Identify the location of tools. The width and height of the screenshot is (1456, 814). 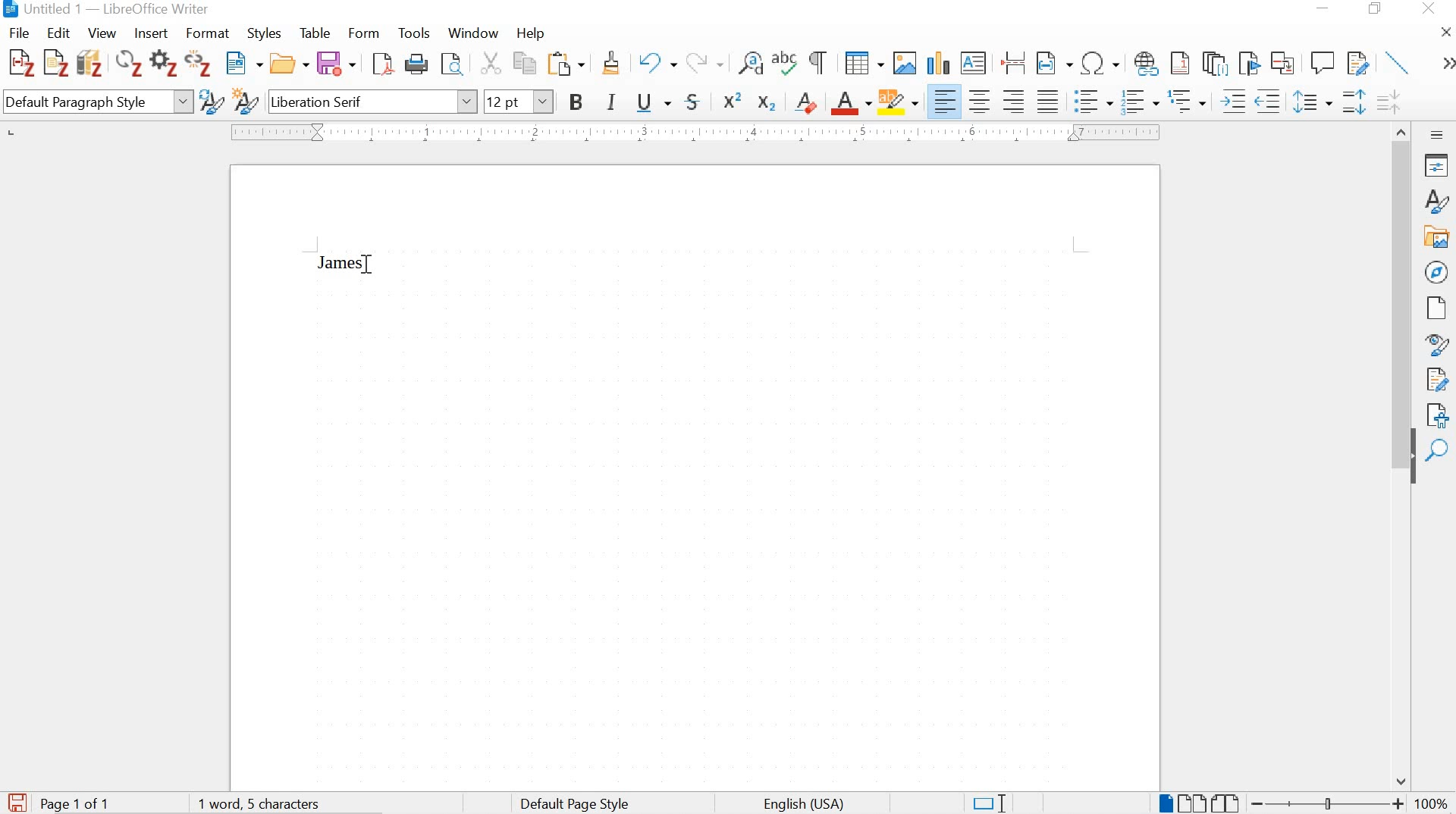
(415, 33).